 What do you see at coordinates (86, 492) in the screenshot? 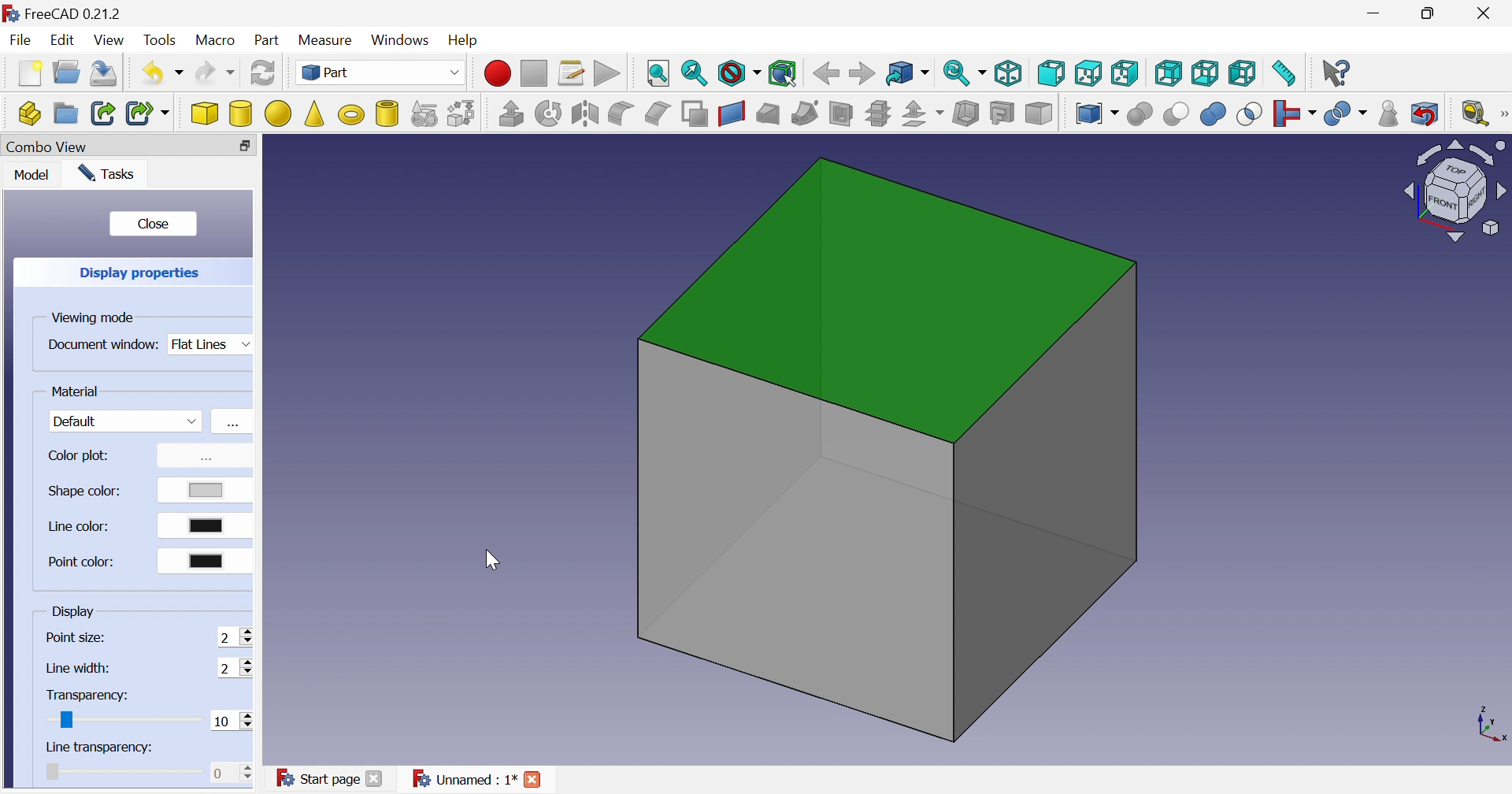
I see `Shape color` at bounding box center [86, 492].